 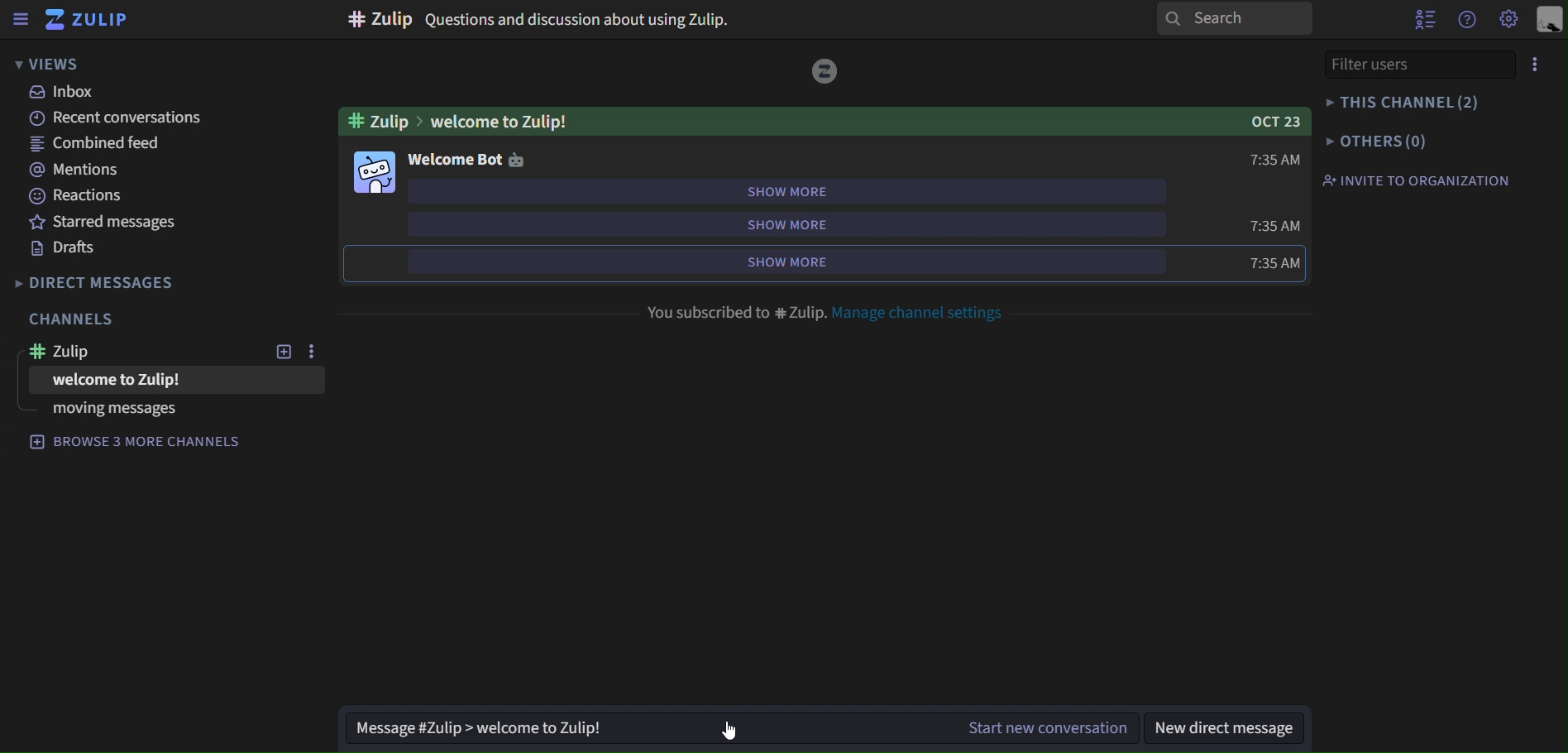 What do you see at coordinates (311, 351) in the screenshot?
I see `more options` at bounding box center [311, 351].